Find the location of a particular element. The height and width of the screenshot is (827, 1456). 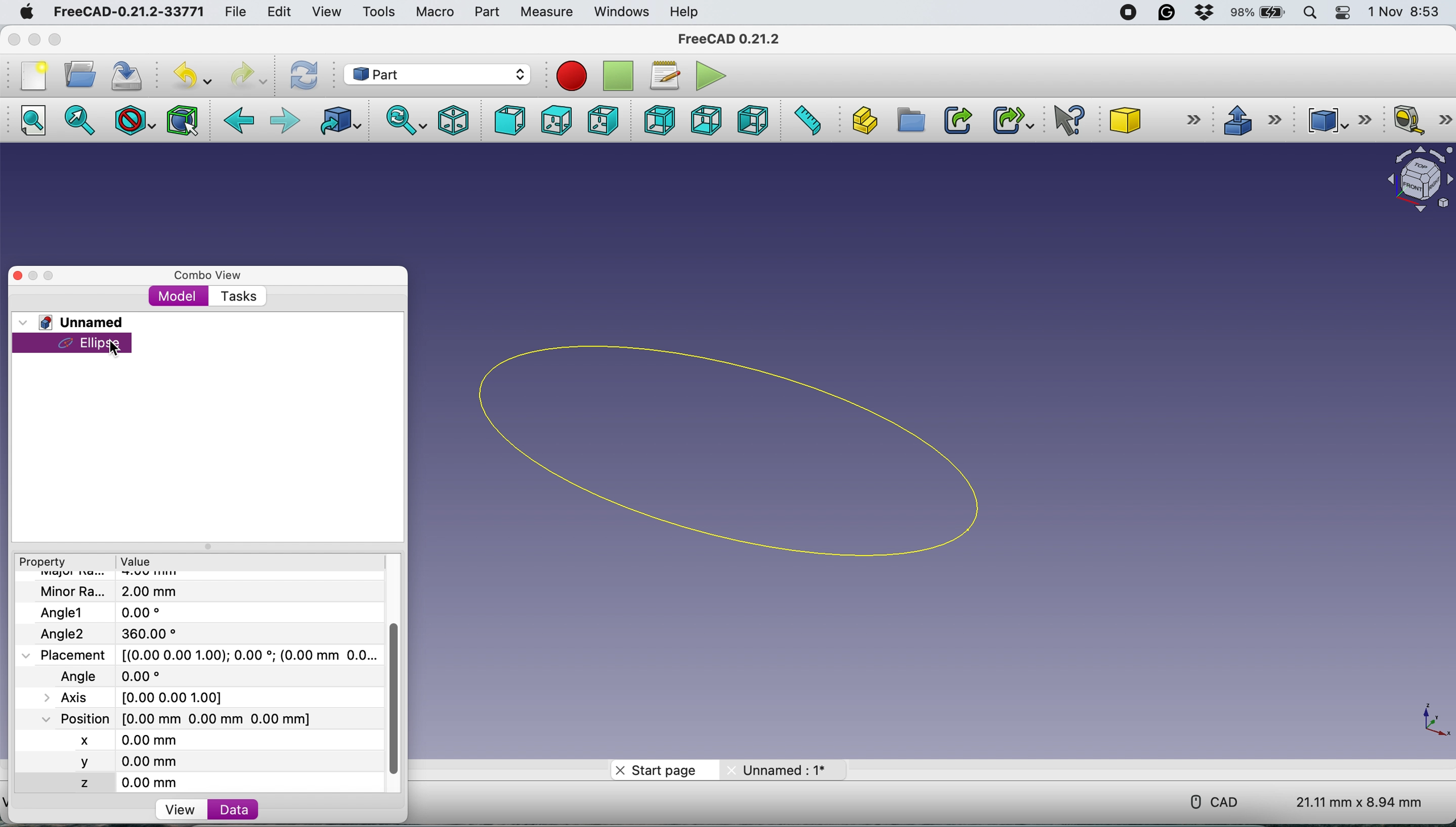

Angle1 is located at coordinates (103, 612).